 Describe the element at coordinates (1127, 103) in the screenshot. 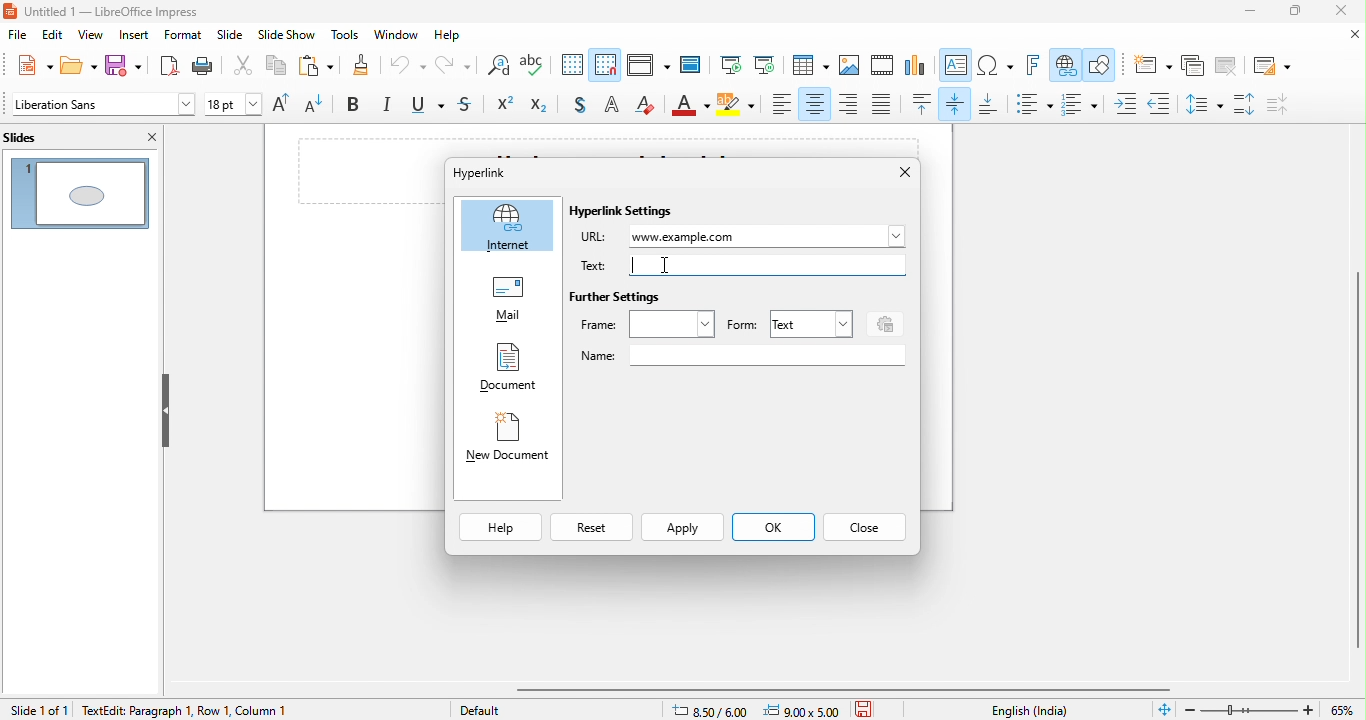

I see `increase indent` at that location.